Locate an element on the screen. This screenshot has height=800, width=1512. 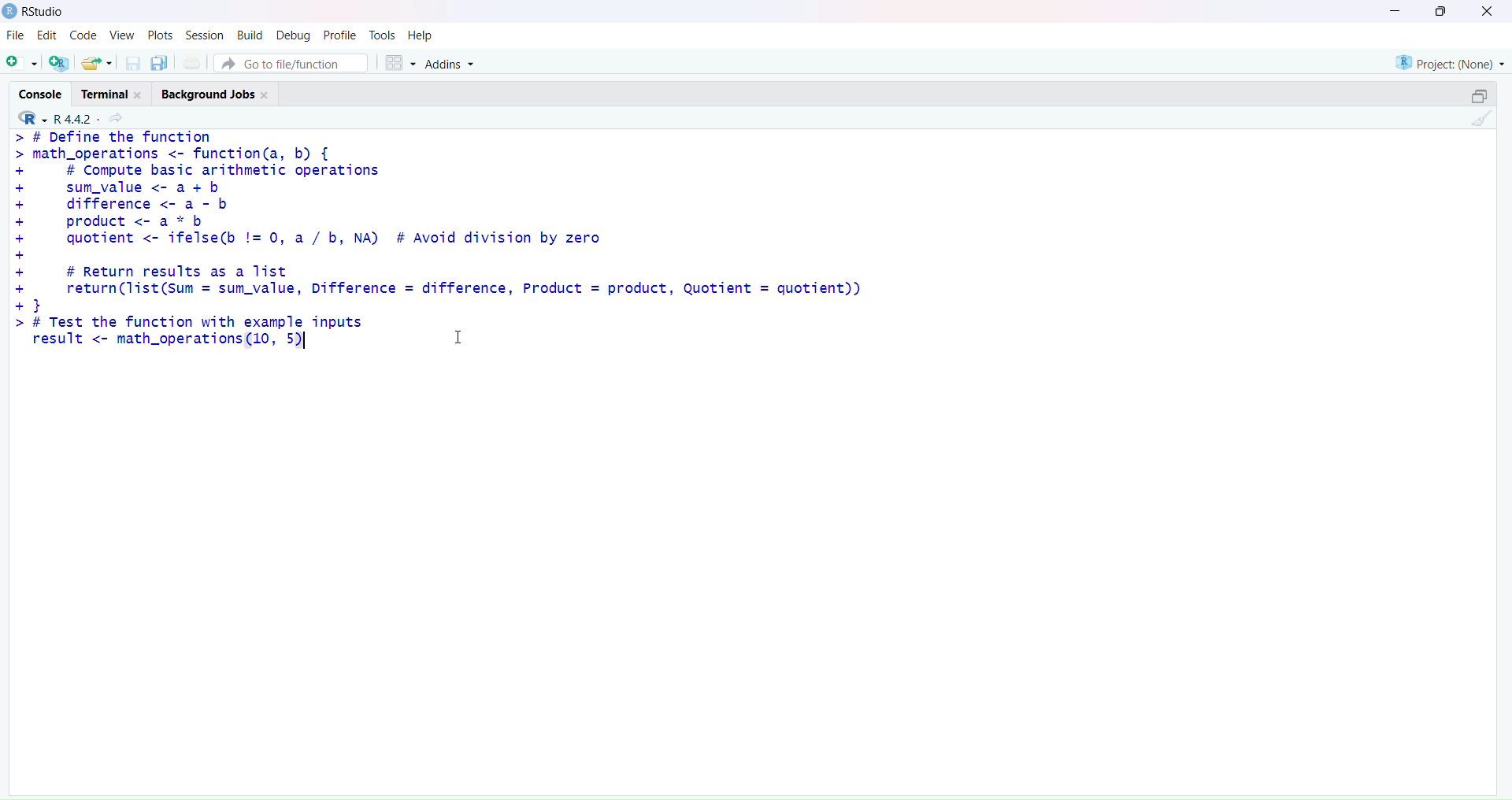
Create a project is located at coordinates (57, 61).